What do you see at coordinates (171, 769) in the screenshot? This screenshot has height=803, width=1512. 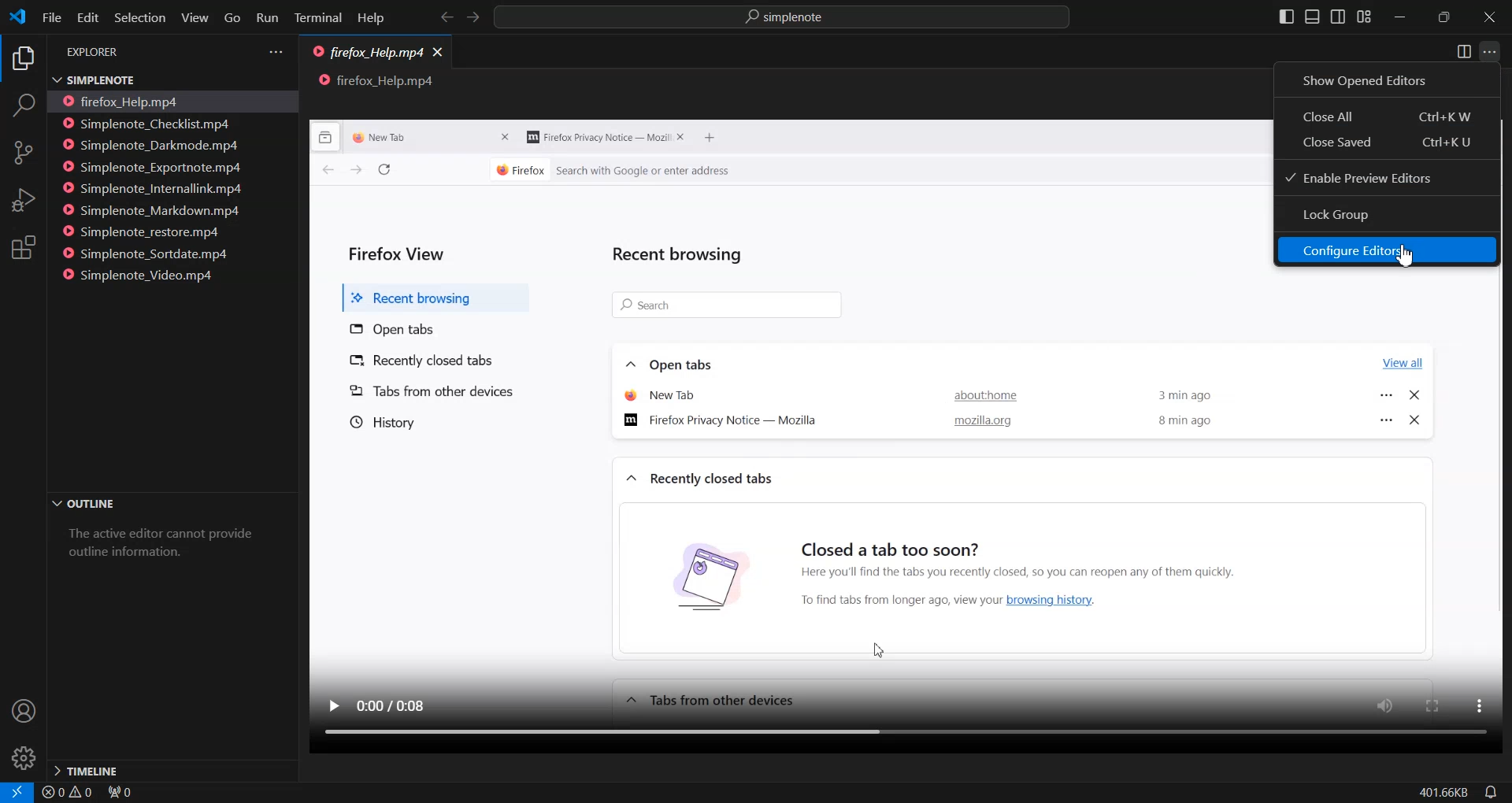 I see `Timeline` at bounding box center [171, 769].